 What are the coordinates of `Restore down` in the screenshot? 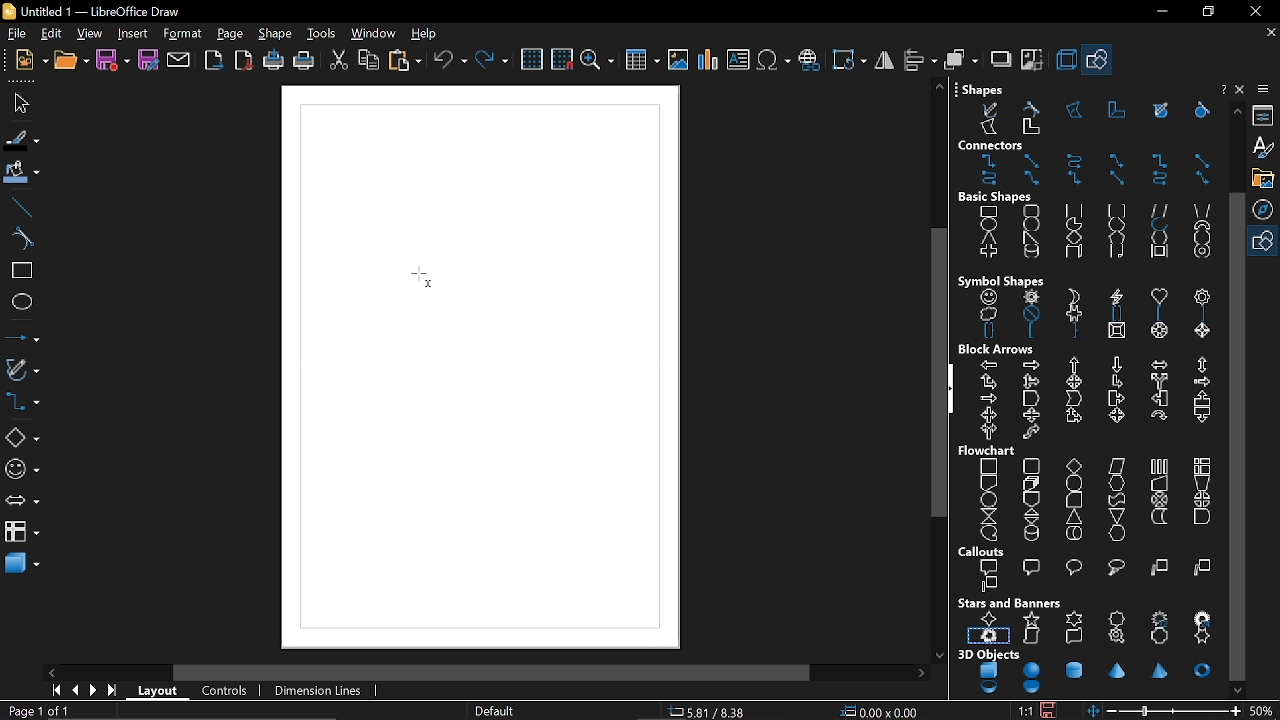 It's located at (1206, 13).